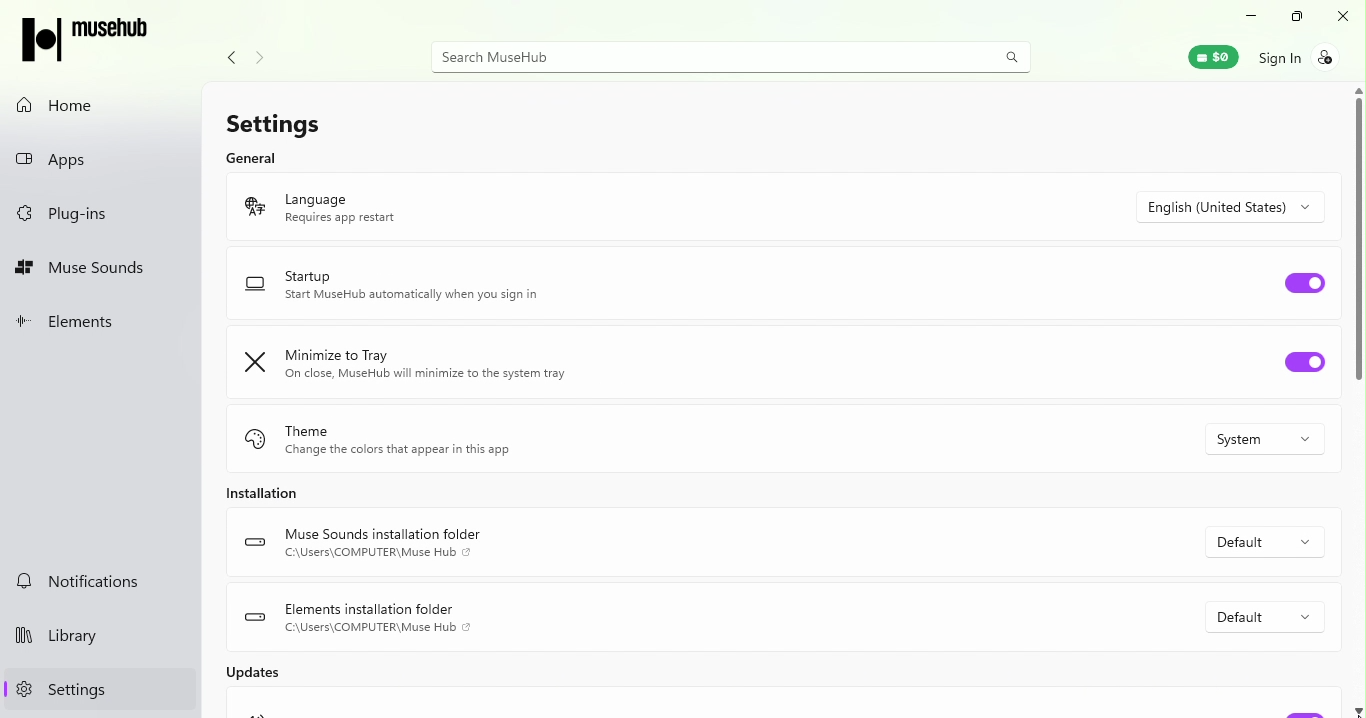  What do you see at coordinates (1297, 275) in the screenshot?
I see `Toggle Start up ` at bounding box center [1297, 275].